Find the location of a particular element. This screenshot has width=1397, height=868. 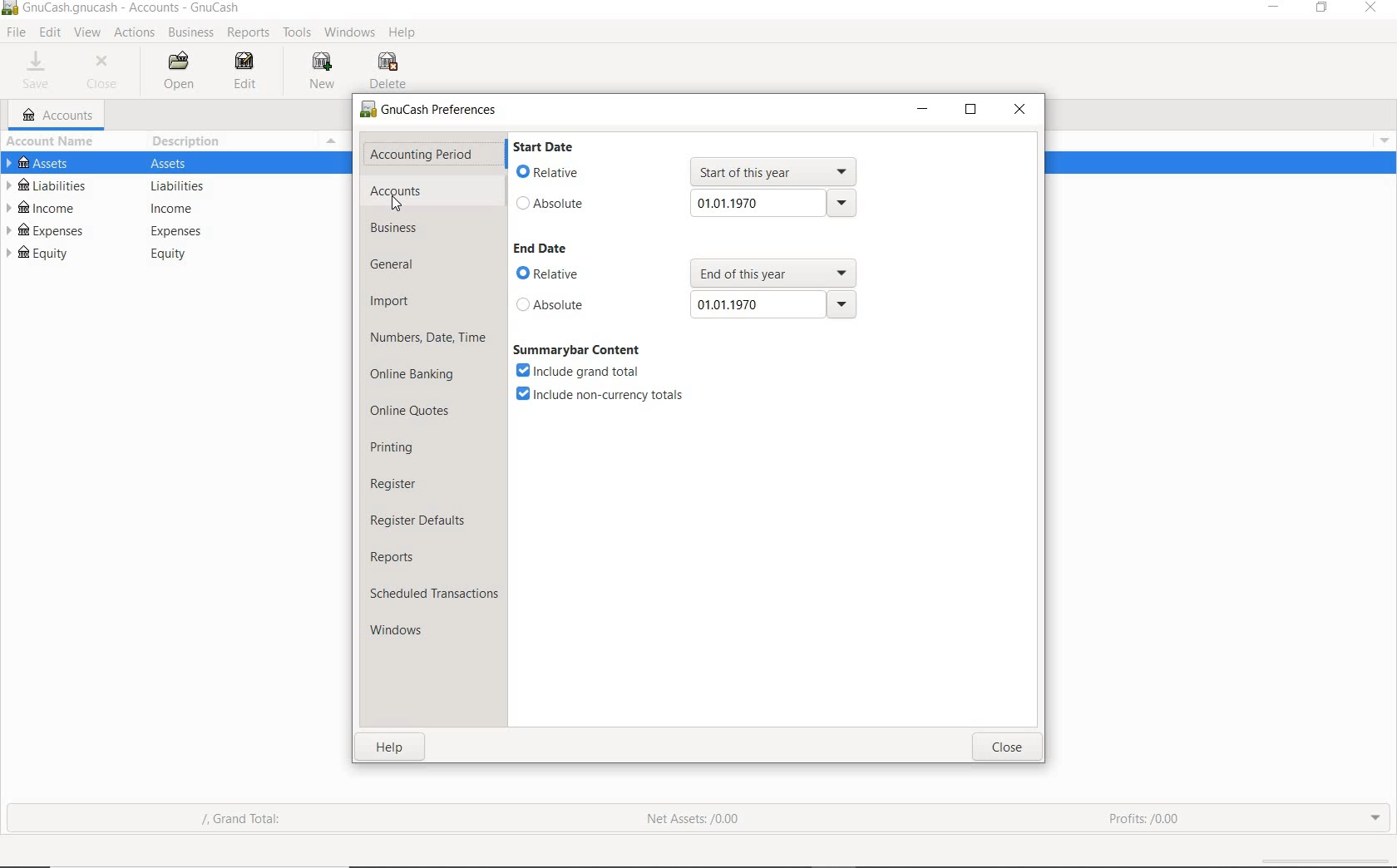

NEW is located at coordinates (323, 72).